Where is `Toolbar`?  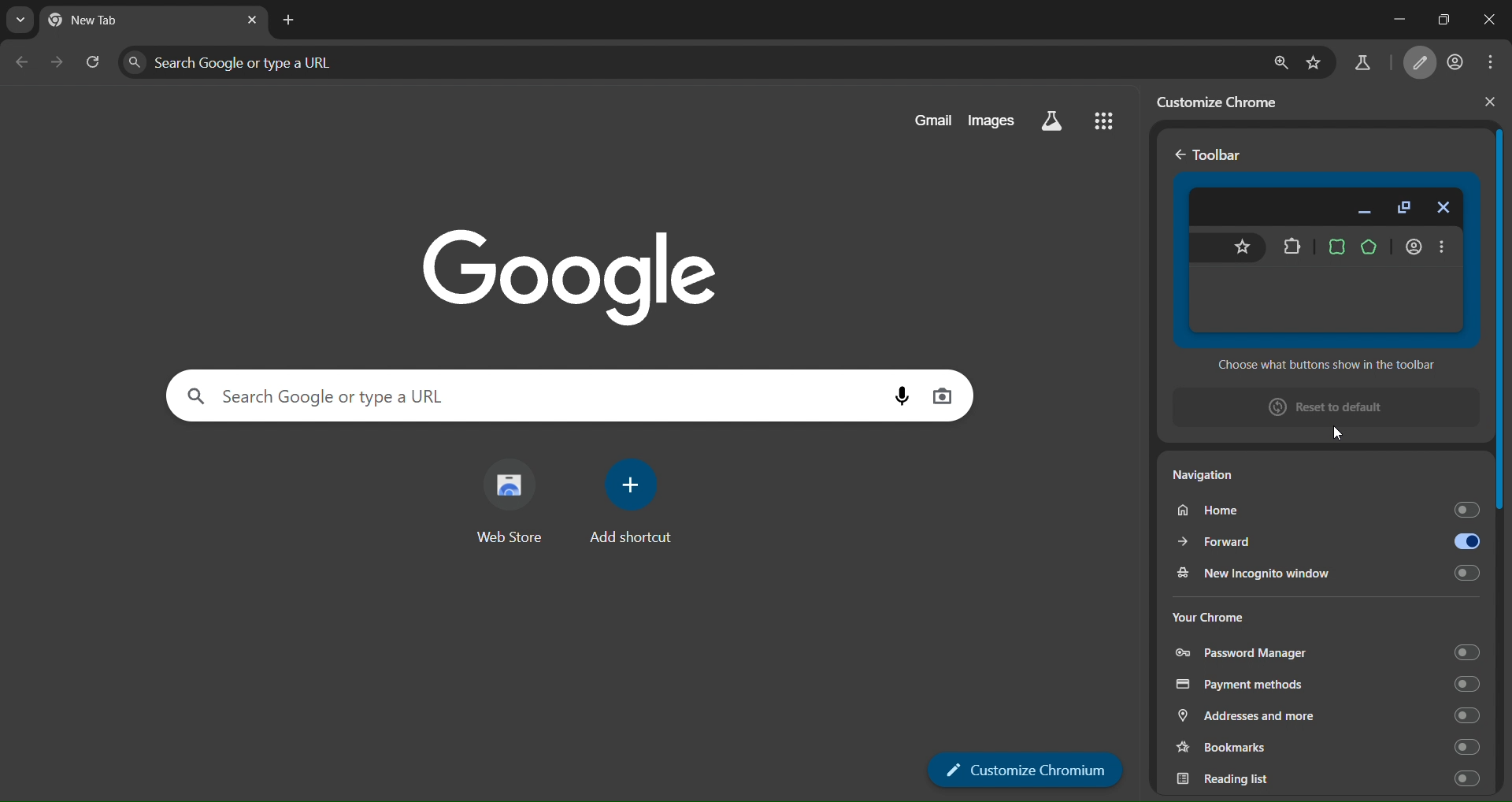 Toolbar is located at coordinates (1221, 155).